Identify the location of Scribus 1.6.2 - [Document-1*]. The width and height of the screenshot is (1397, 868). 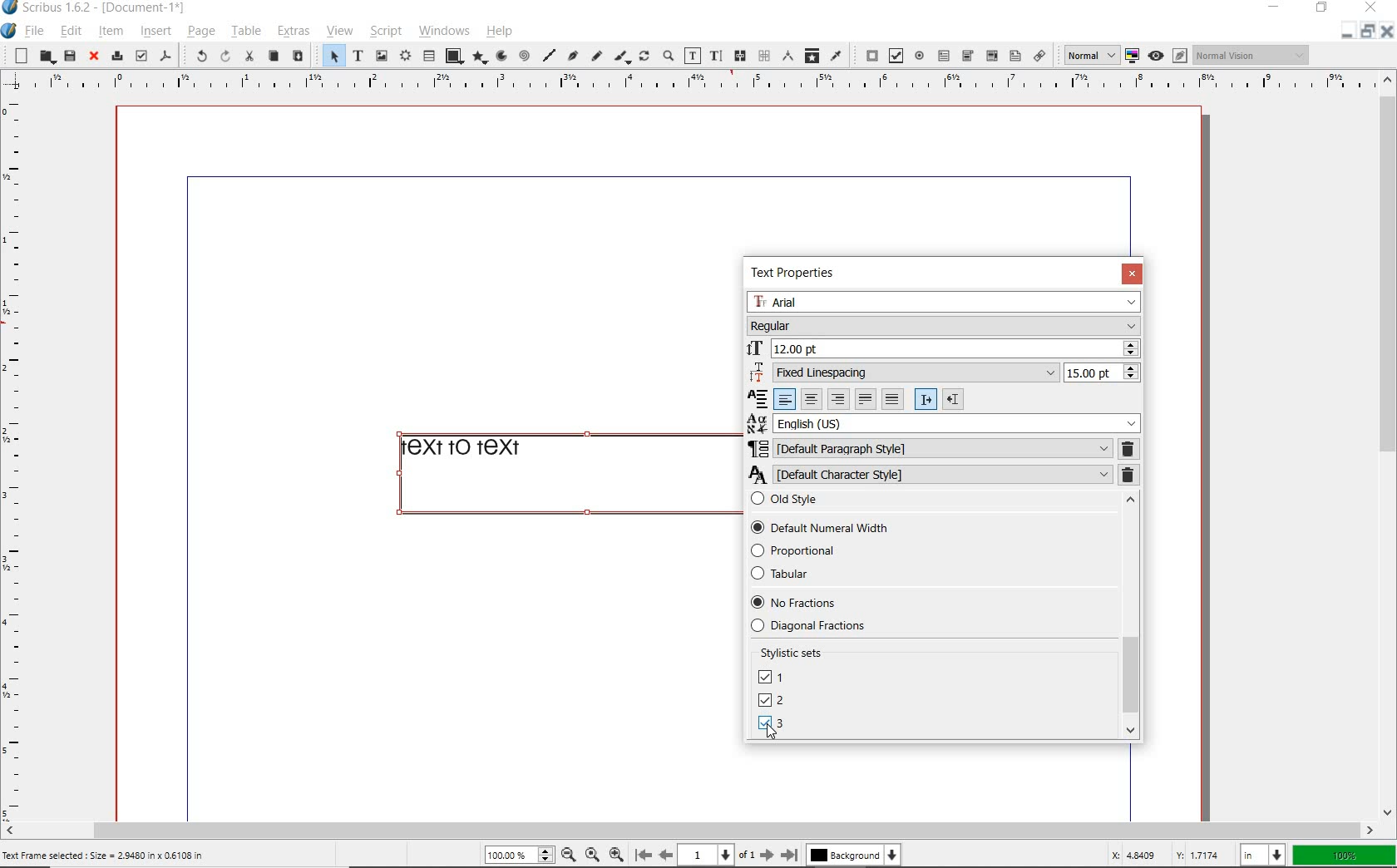
(99, 10).